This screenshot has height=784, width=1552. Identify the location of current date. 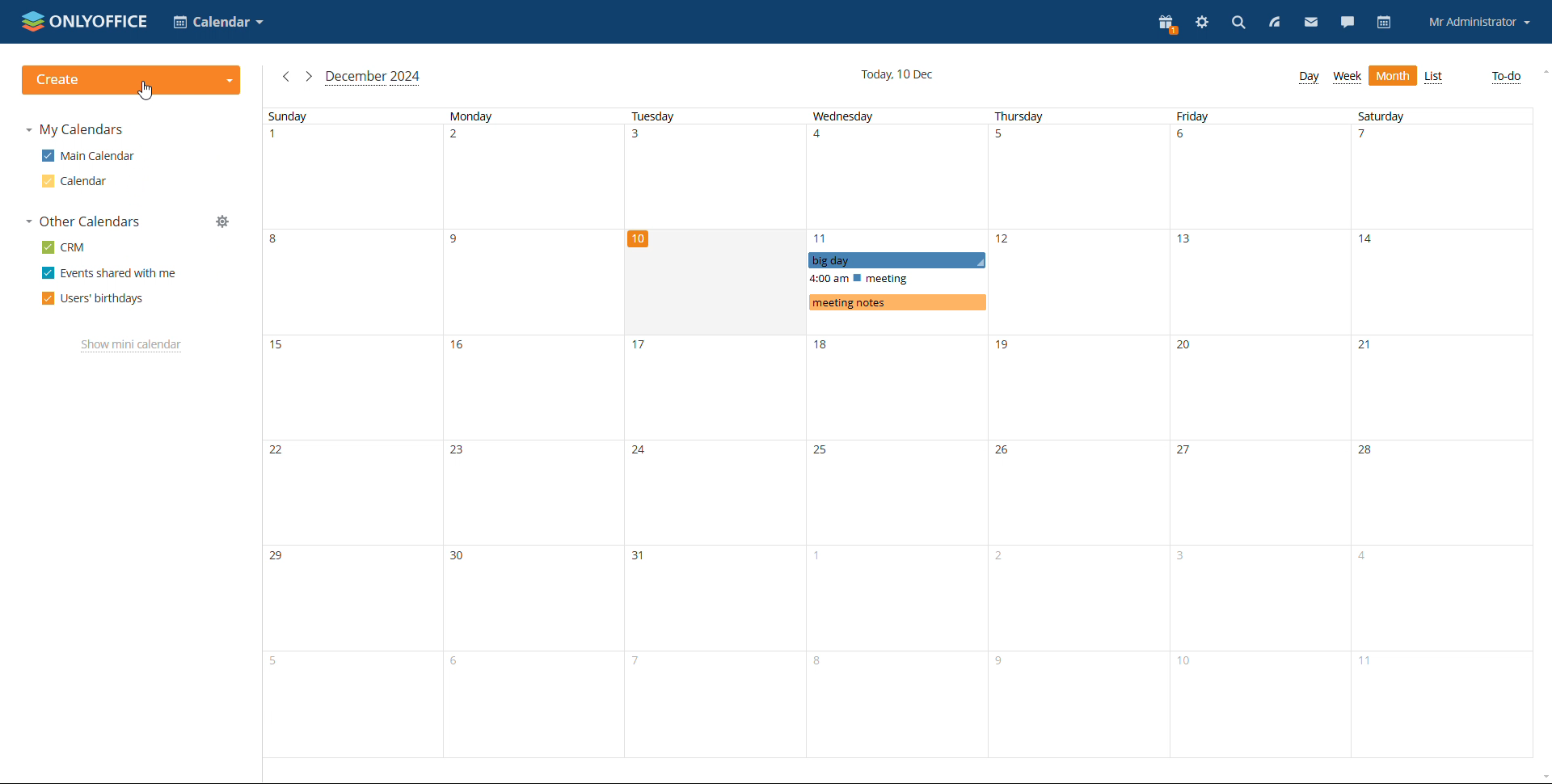
(897, 74).